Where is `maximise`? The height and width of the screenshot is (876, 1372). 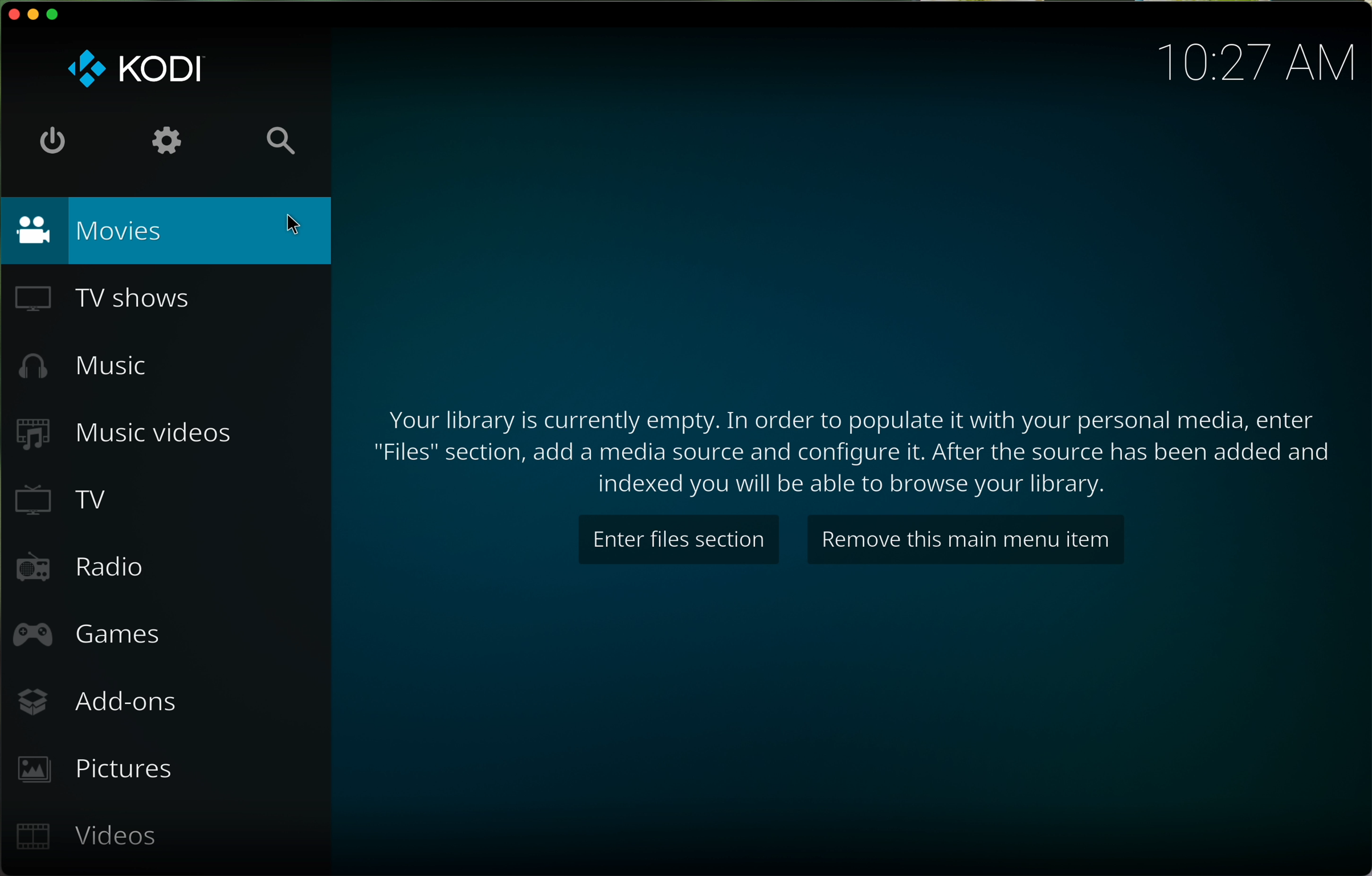 maximise is located at coordinates (57, 14).